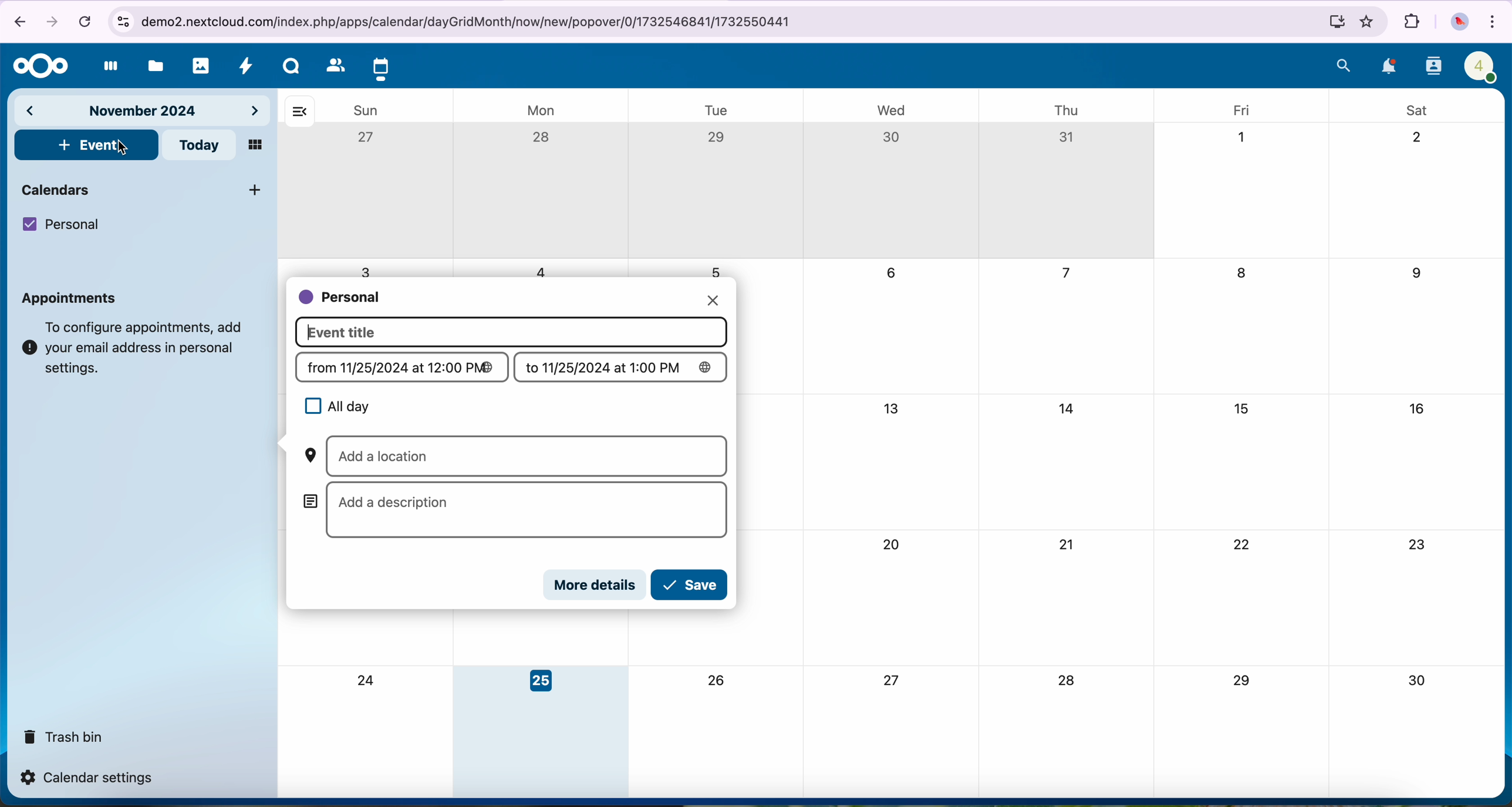 The image size is (1512, 807). I want to click on 15, so click(1244, 411).